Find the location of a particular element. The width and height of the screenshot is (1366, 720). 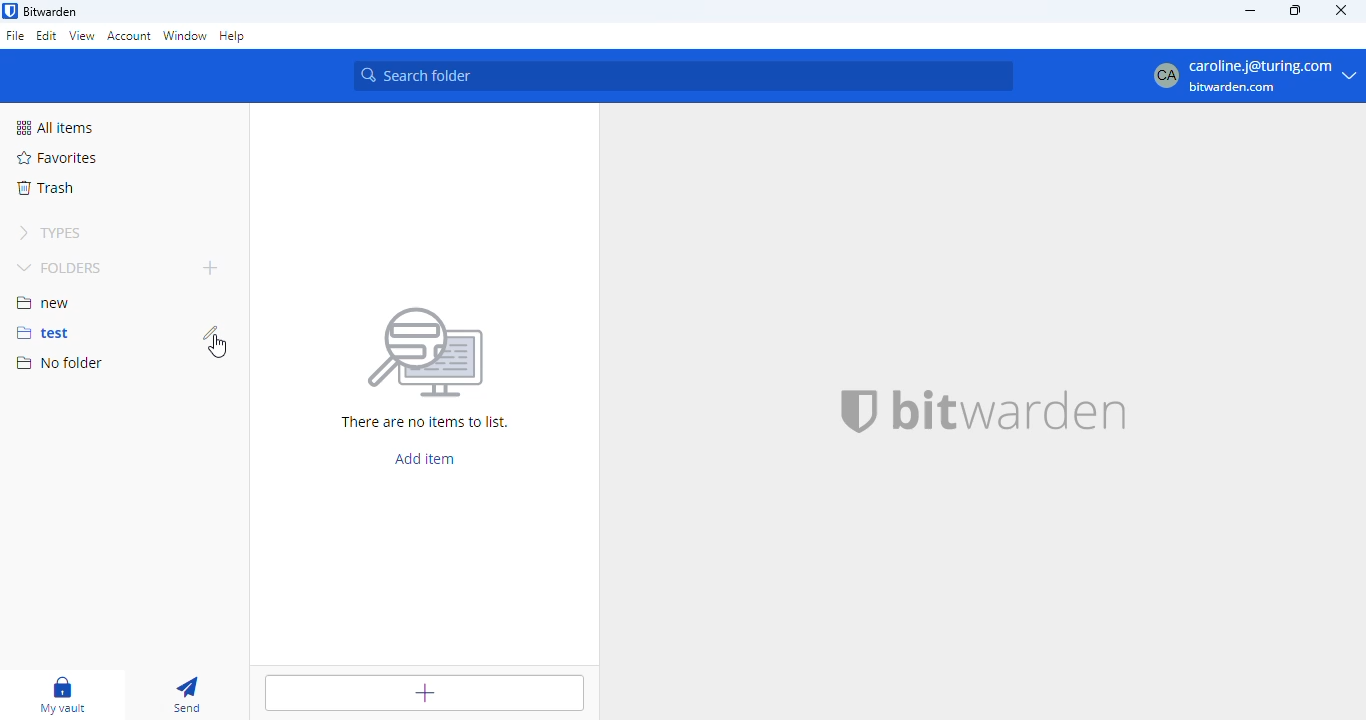

trash is located at coordinates (47, 188).